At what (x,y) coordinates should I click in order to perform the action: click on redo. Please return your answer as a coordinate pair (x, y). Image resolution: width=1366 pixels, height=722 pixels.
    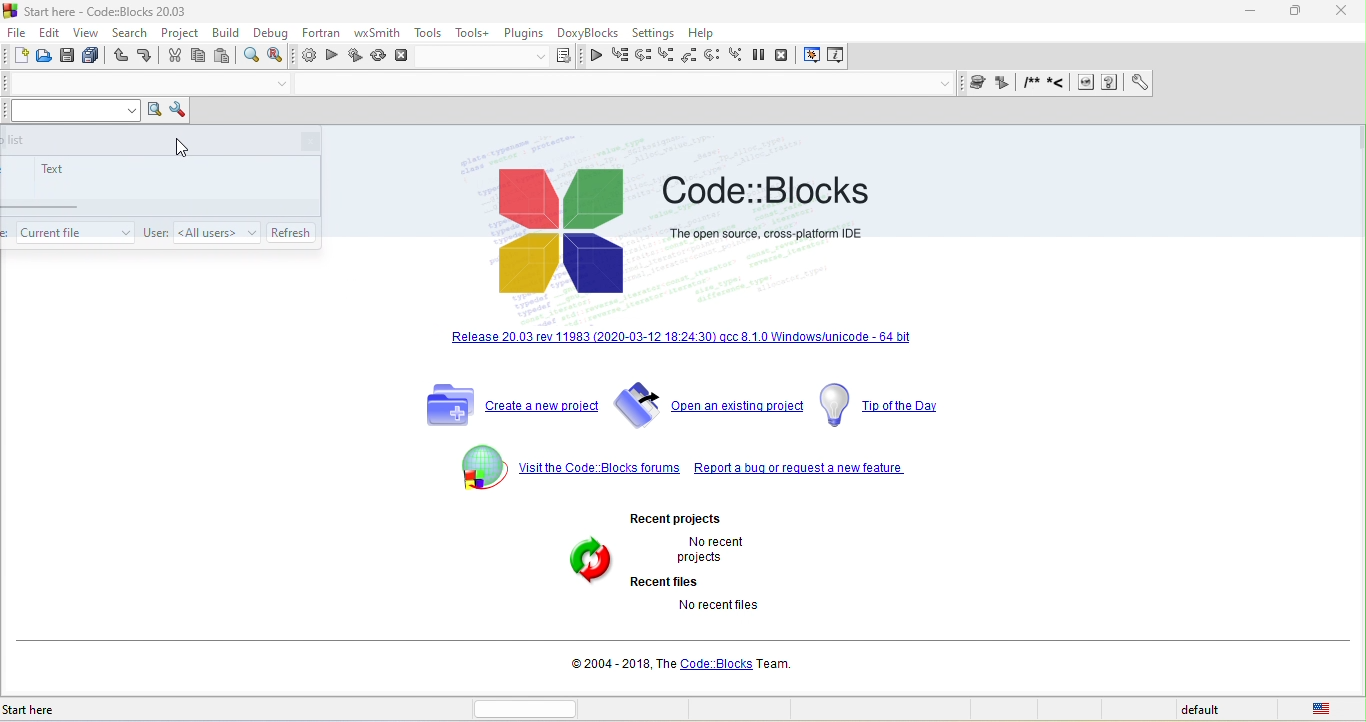
    Looking at the image, I should click on (145, 58).